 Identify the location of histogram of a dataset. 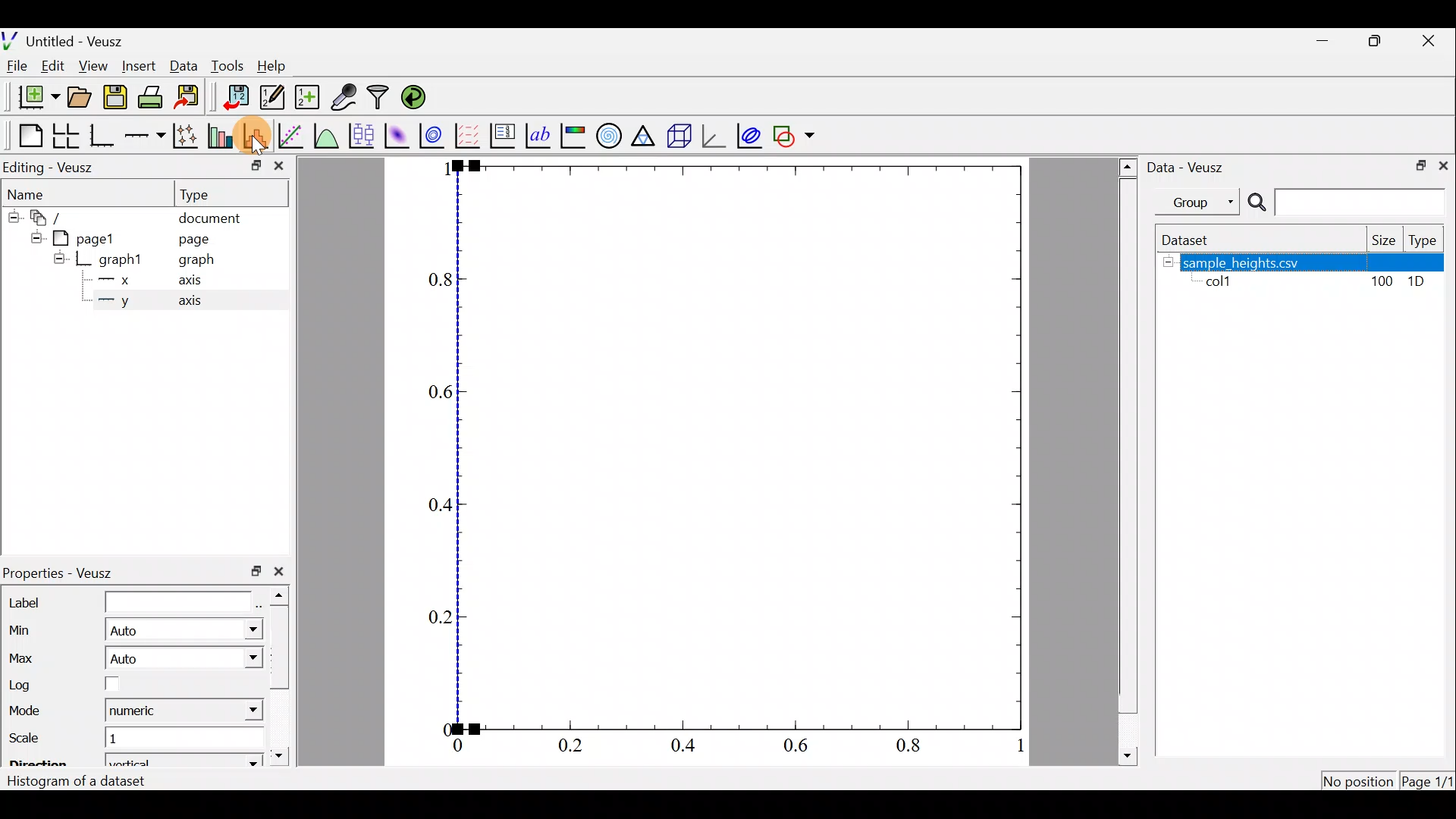
(255, 134).